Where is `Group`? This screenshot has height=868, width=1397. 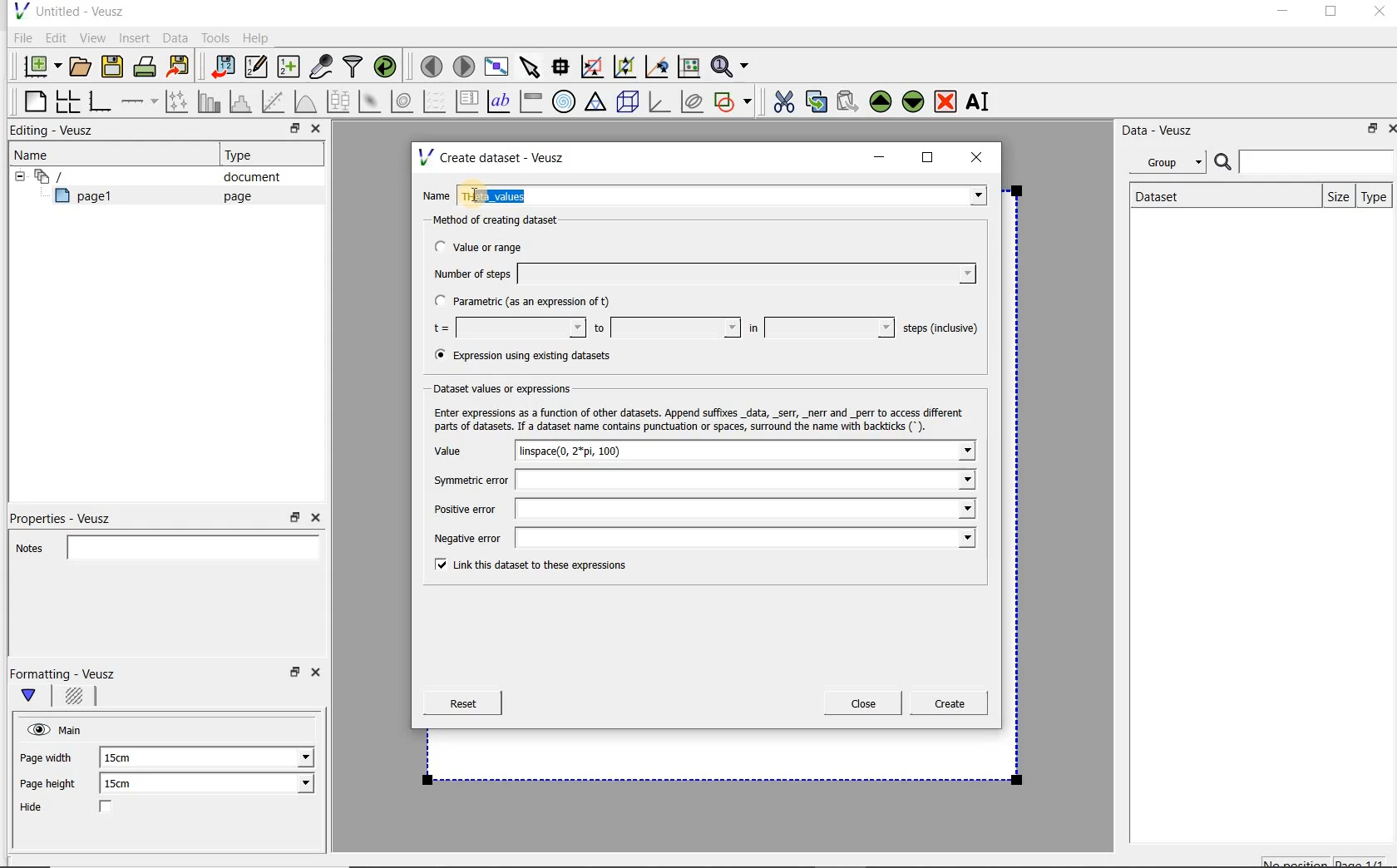
Group is located at coordinates (1172, 165).